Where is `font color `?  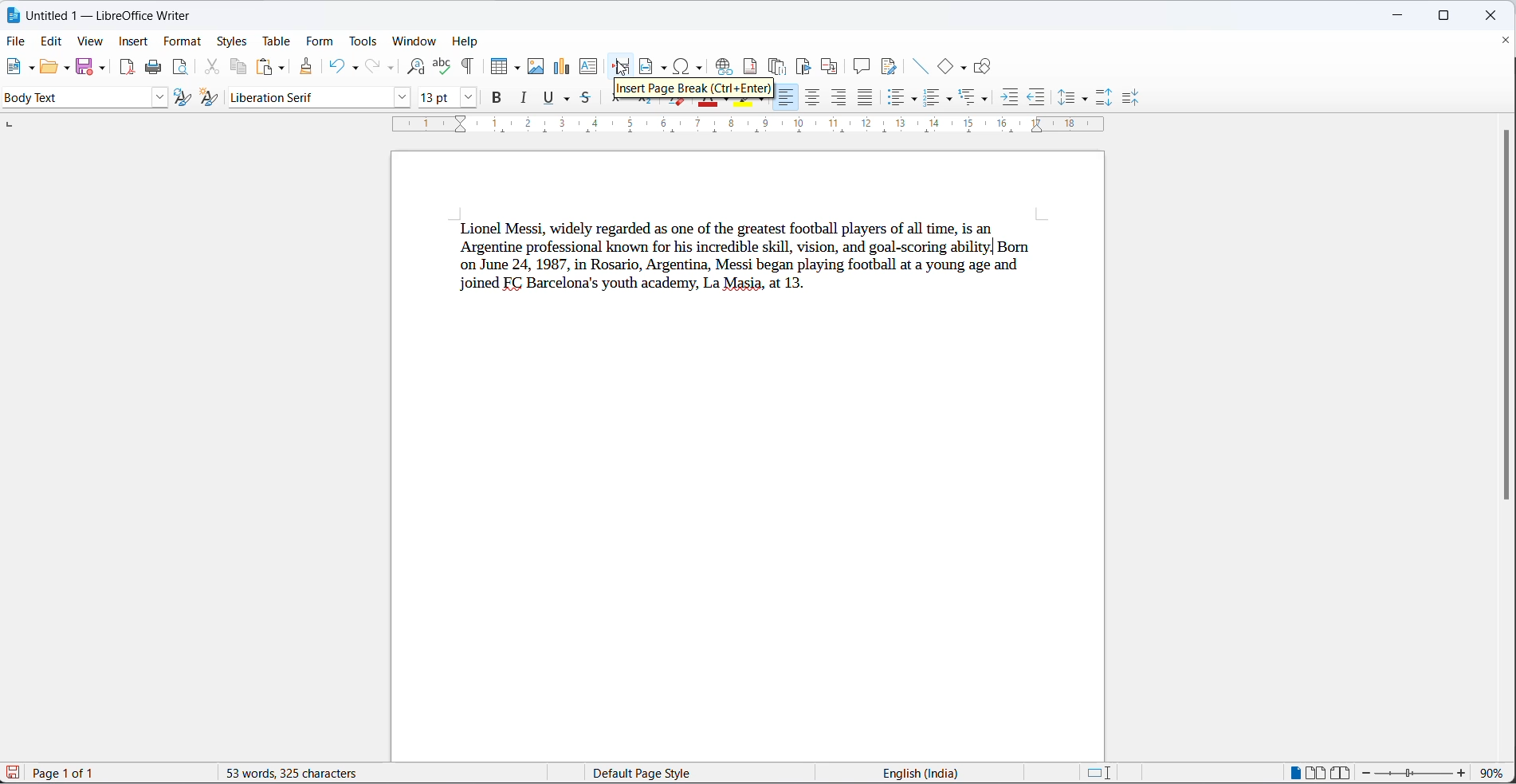 font color  is located at coordinates (709, 105).